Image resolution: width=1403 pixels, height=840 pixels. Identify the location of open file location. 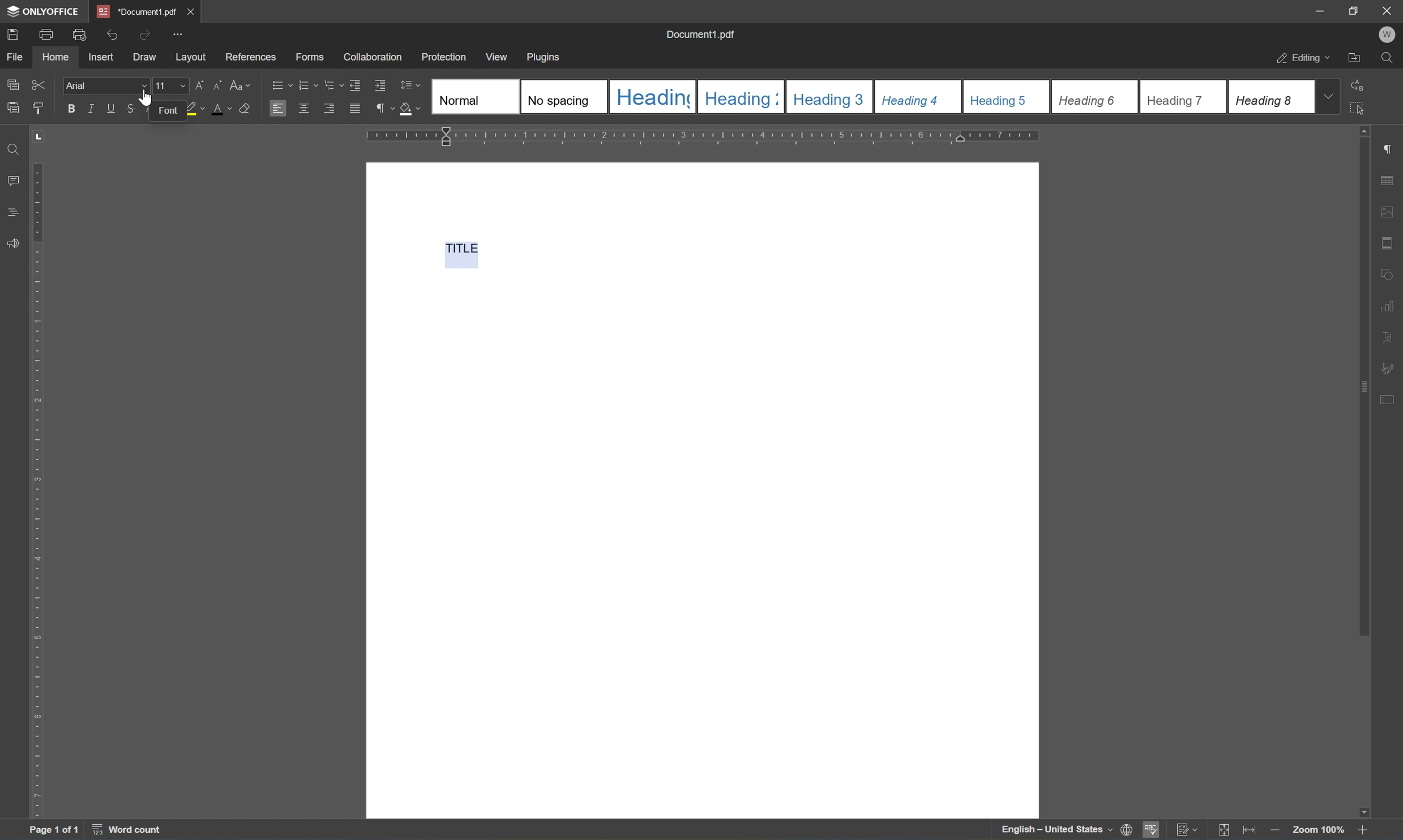
(1354, 58).